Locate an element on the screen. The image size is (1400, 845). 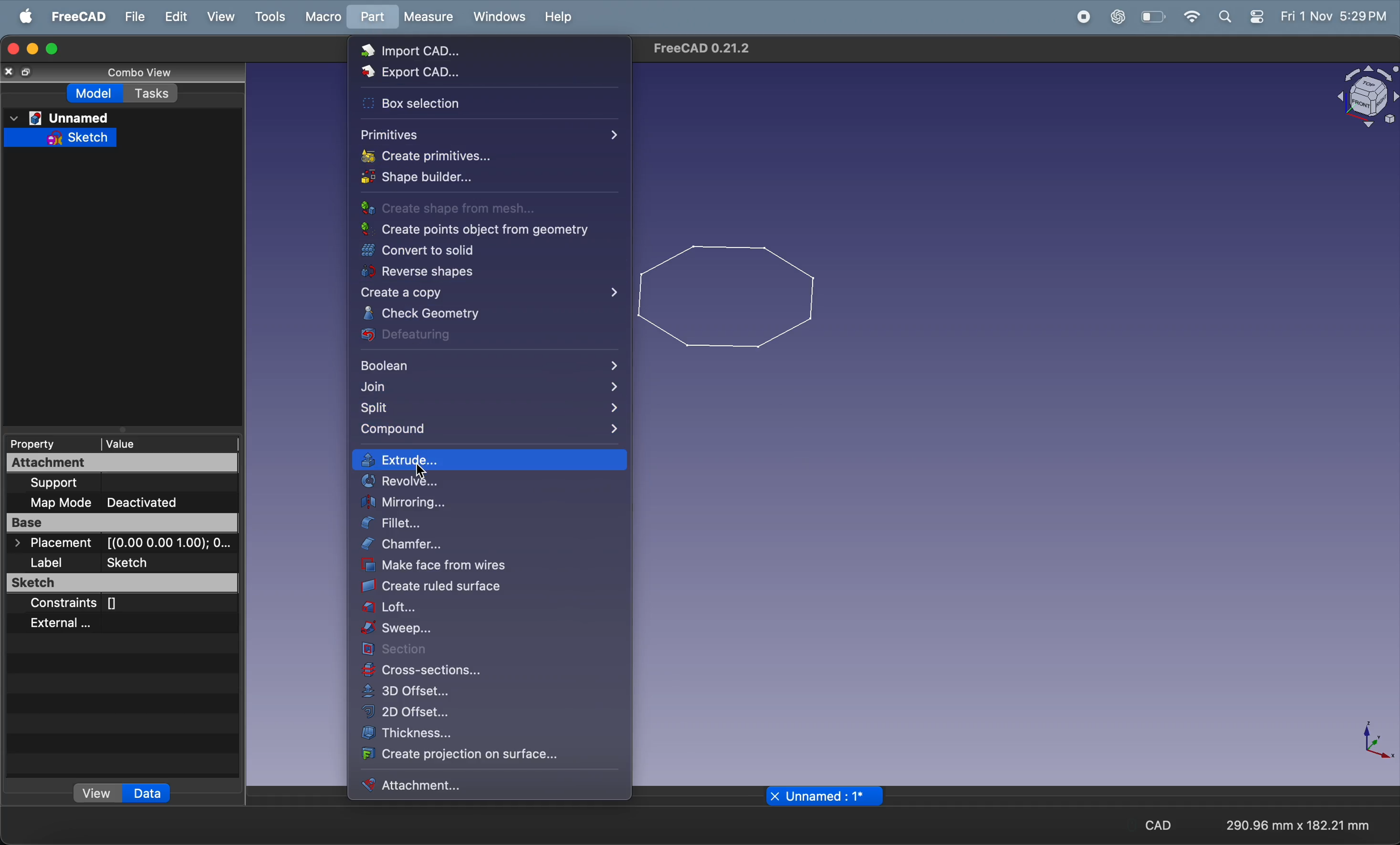
fillet is located at coordinates (494, 526).